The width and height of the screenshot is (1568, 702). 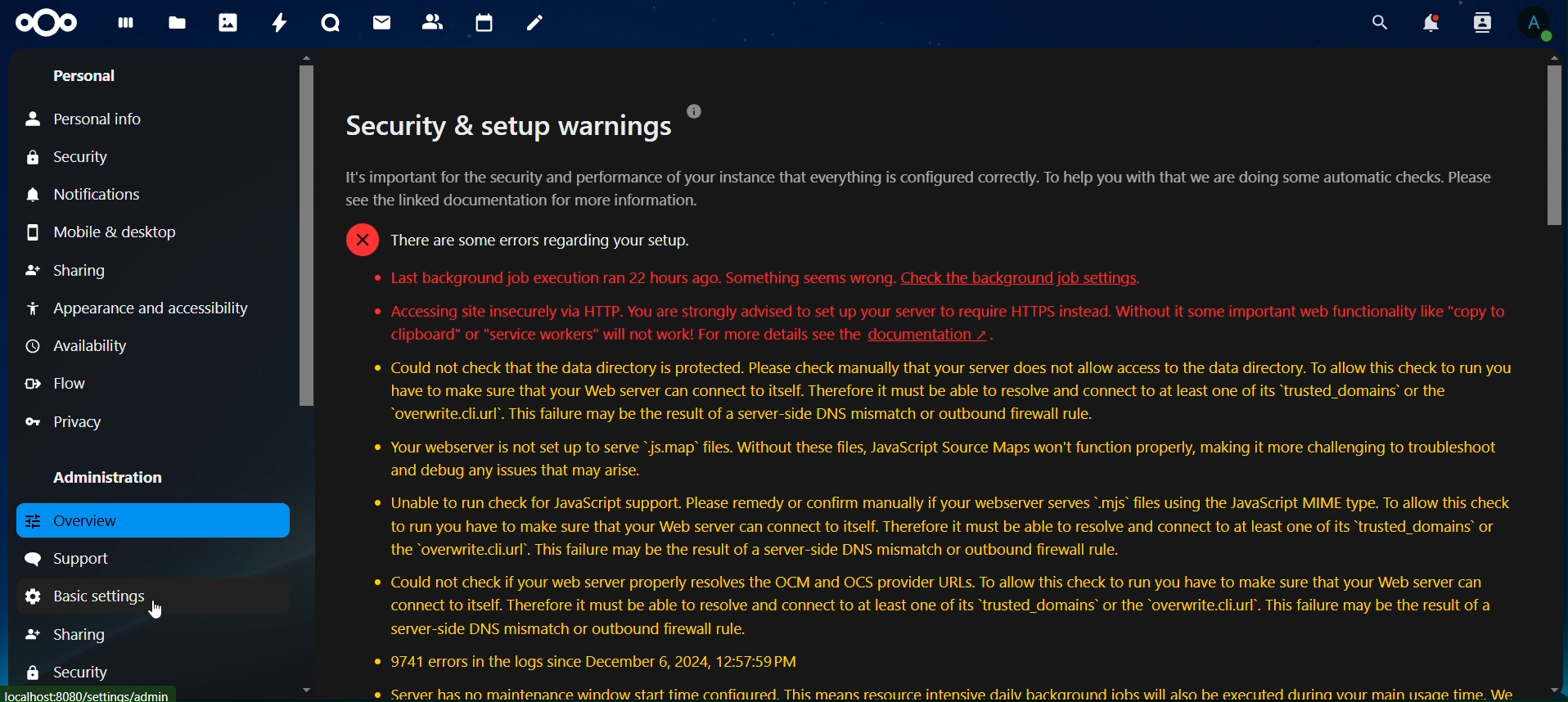 What do you see at coordinates (59, 383) in the screenshot?
I see `flow` at bounding box center [59, 383].